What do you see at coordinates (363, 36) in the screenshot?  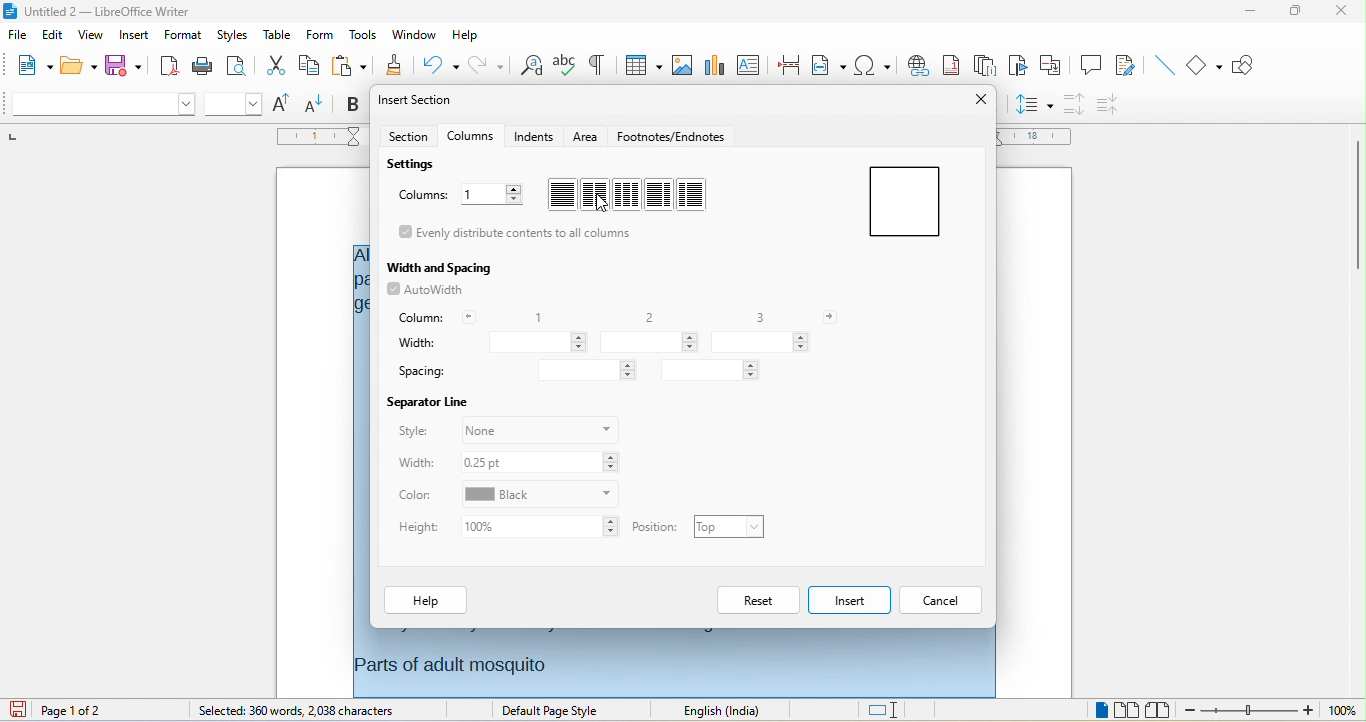 I see `tools` at bounding box center [363, 36].